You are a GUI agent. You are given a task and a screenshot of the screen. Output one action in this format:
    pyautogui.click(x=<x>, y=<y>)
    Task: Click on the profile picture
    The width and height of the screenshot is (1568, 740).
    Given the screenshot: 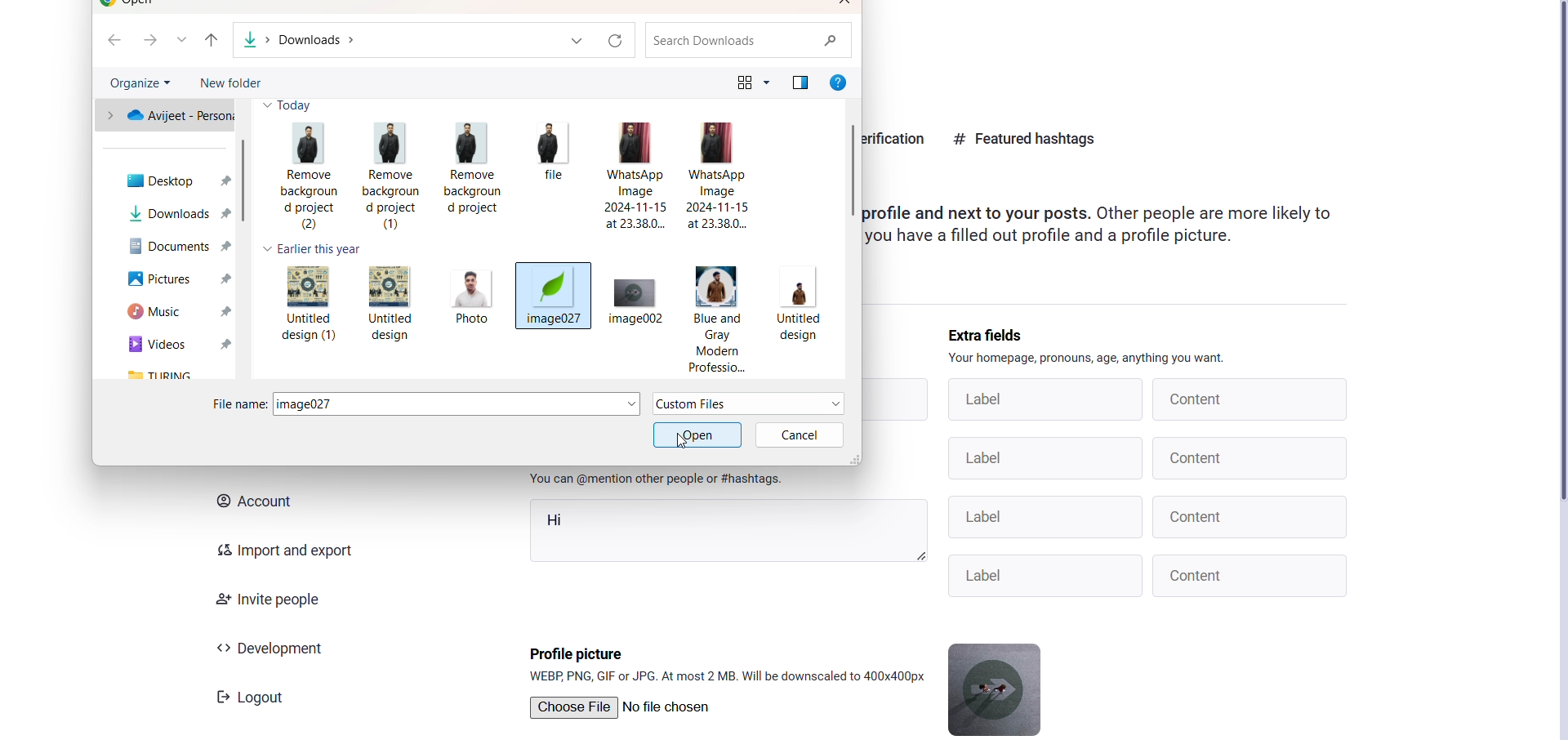 What is the action you would take?
    pyautogui.click(x=577, y=651)
    